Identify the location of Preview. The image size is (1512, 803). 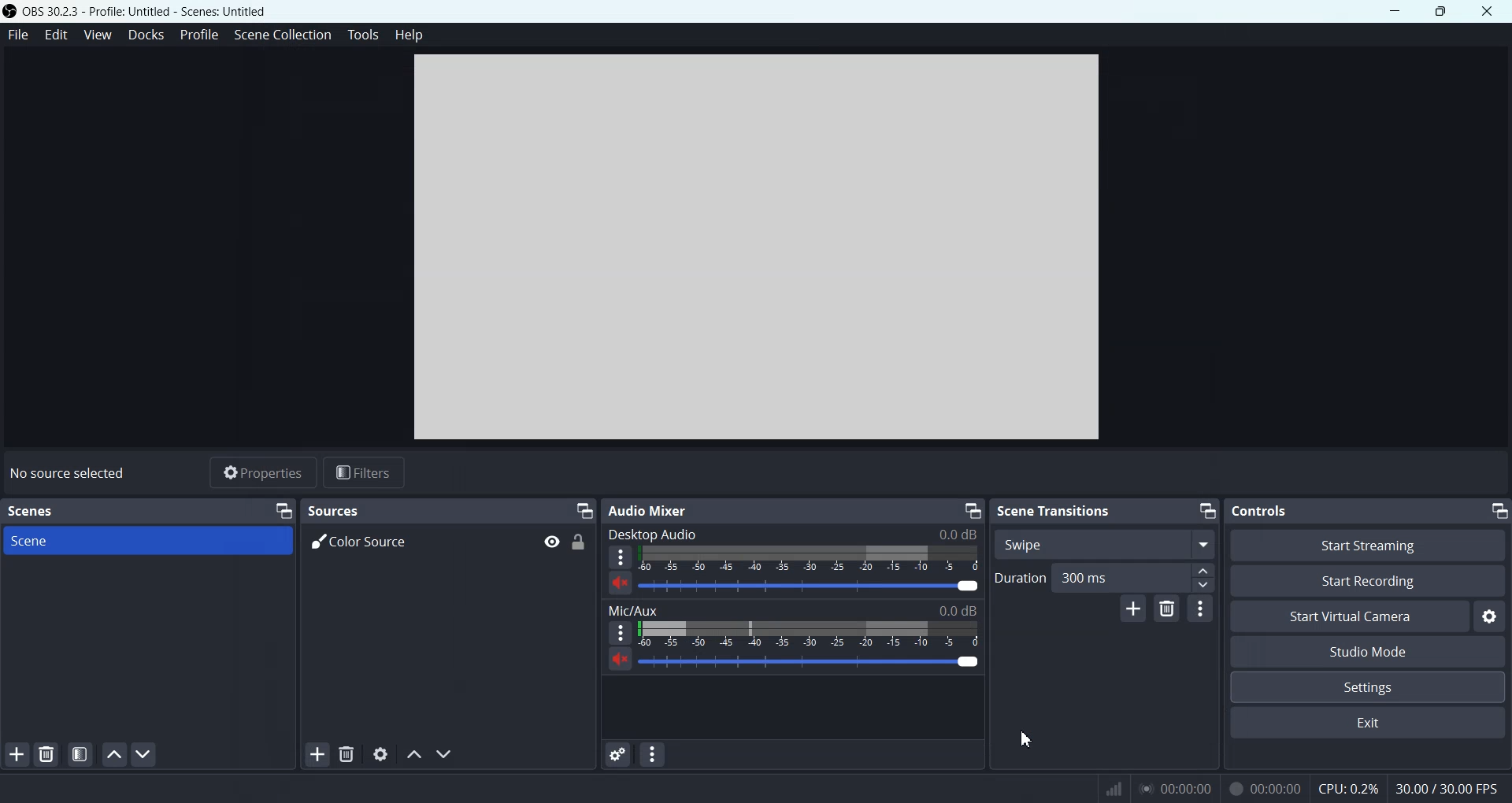
(758, 246).